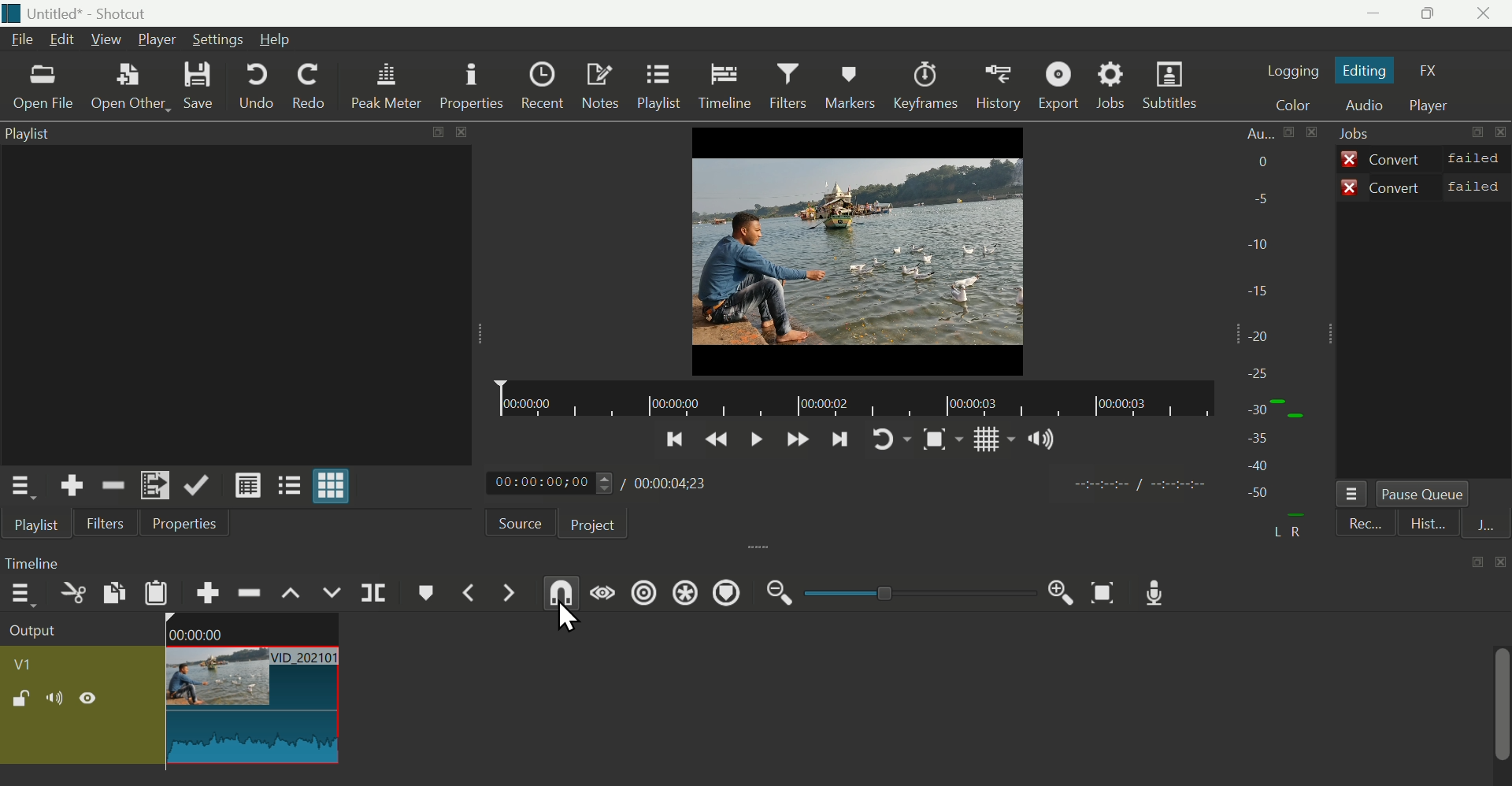 This screenshot has width=1512, height=786. What do you see at coordinates (131, 89) in the screenshot?
I see `Open Other` at bounding box center [131, 89].